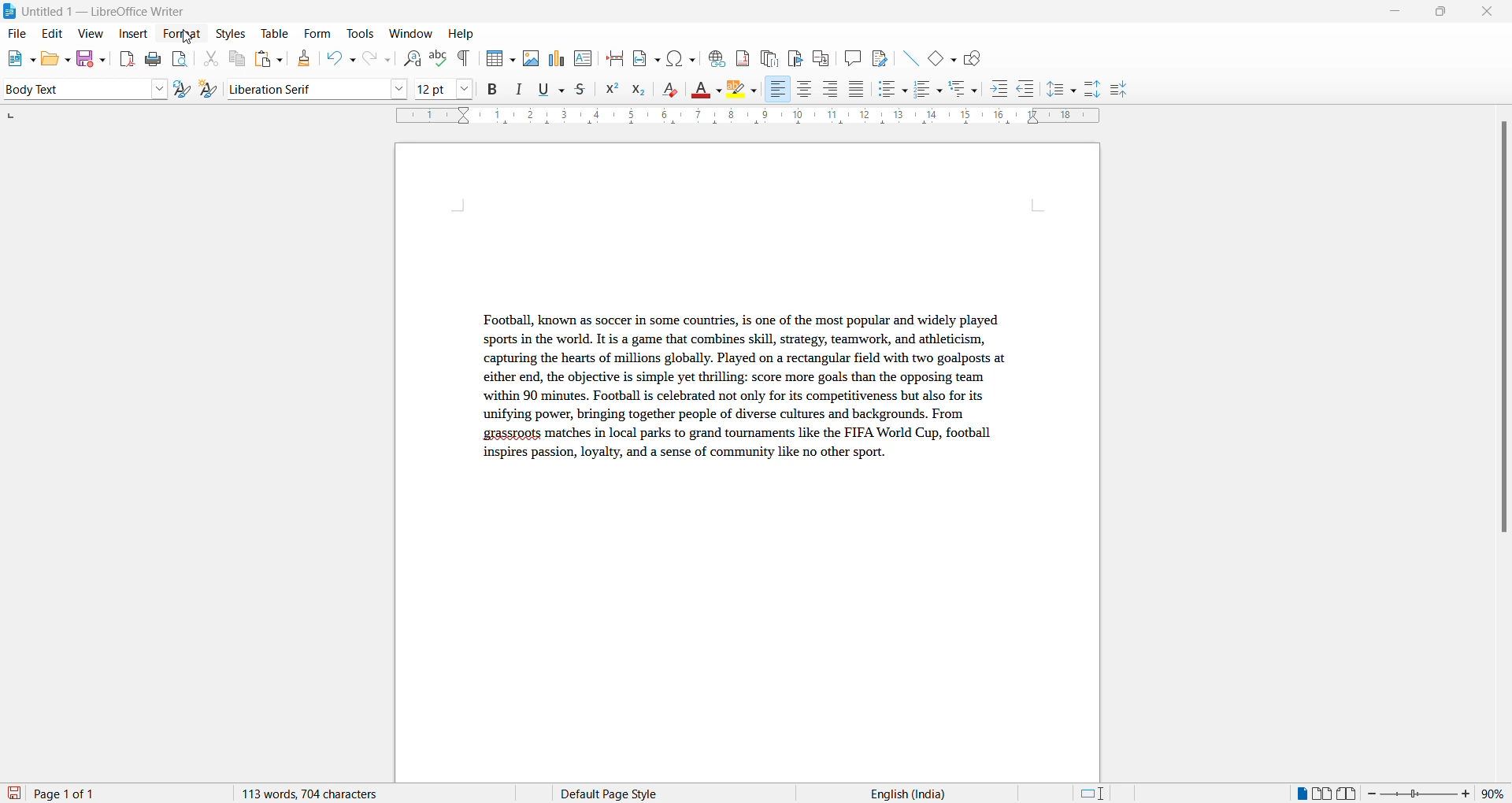  Describe the element at coordinates (1393, 14) in the screenshot. I see `minimize` at that location.